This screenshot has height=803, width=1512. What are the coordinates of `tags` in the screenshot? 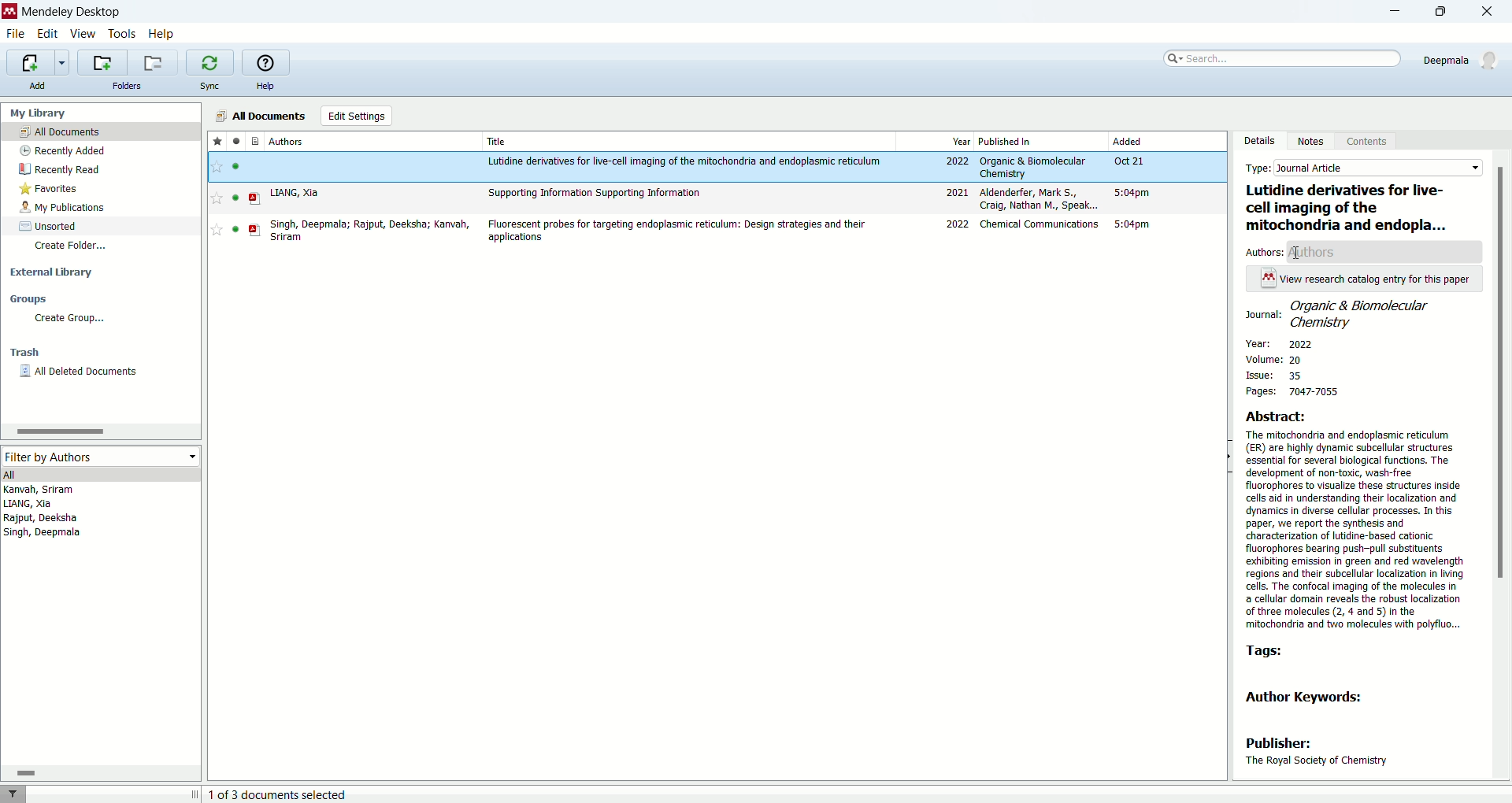 It's located at (1266, 652).